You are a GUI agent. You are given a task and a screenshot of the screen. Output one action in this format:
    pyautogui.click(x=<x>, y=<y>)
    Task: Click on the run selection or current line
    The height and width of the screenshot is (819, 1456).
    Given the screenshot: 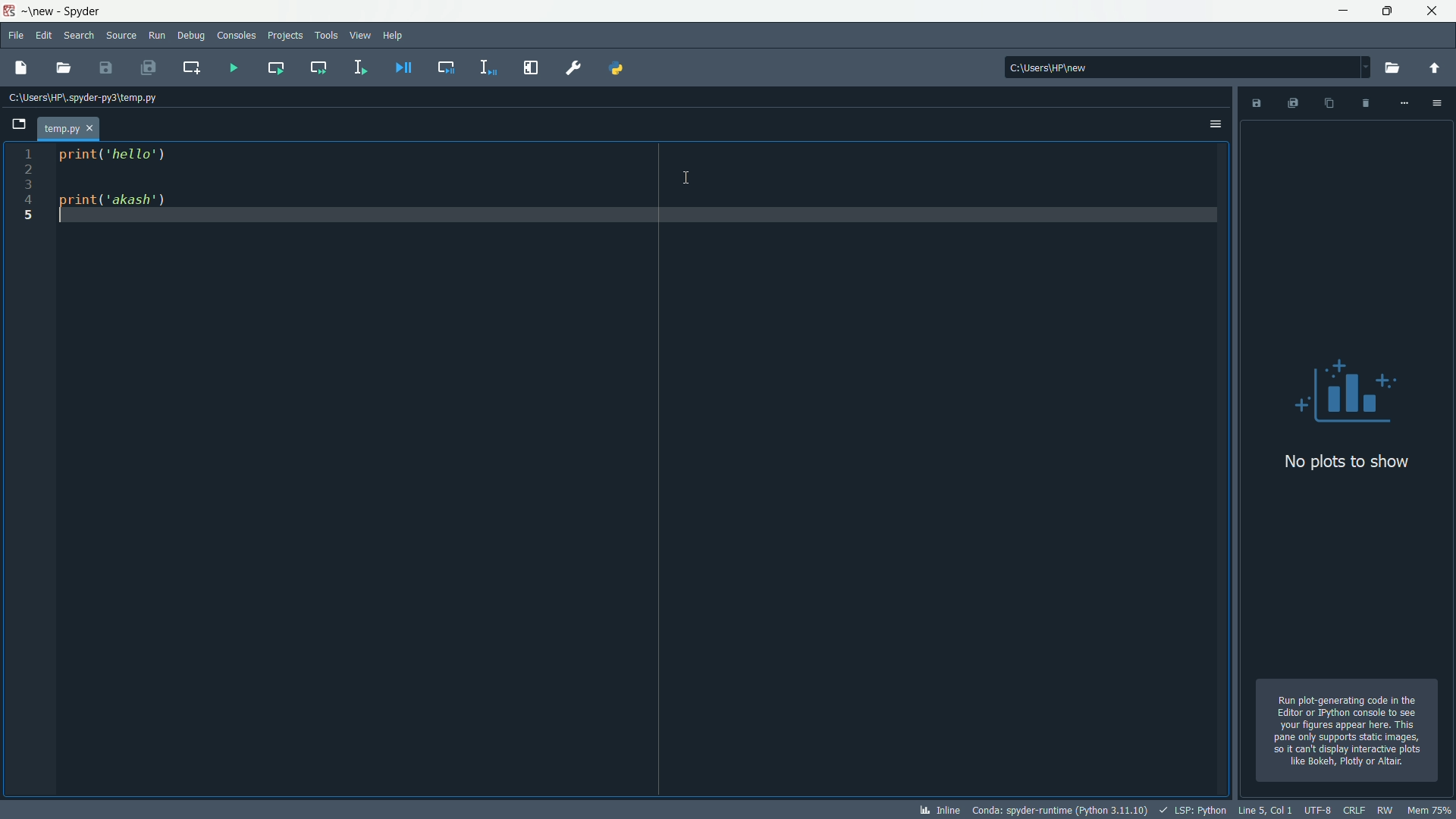 What is the action you would take?
    pyautogui.click(x=362, y=67)
    